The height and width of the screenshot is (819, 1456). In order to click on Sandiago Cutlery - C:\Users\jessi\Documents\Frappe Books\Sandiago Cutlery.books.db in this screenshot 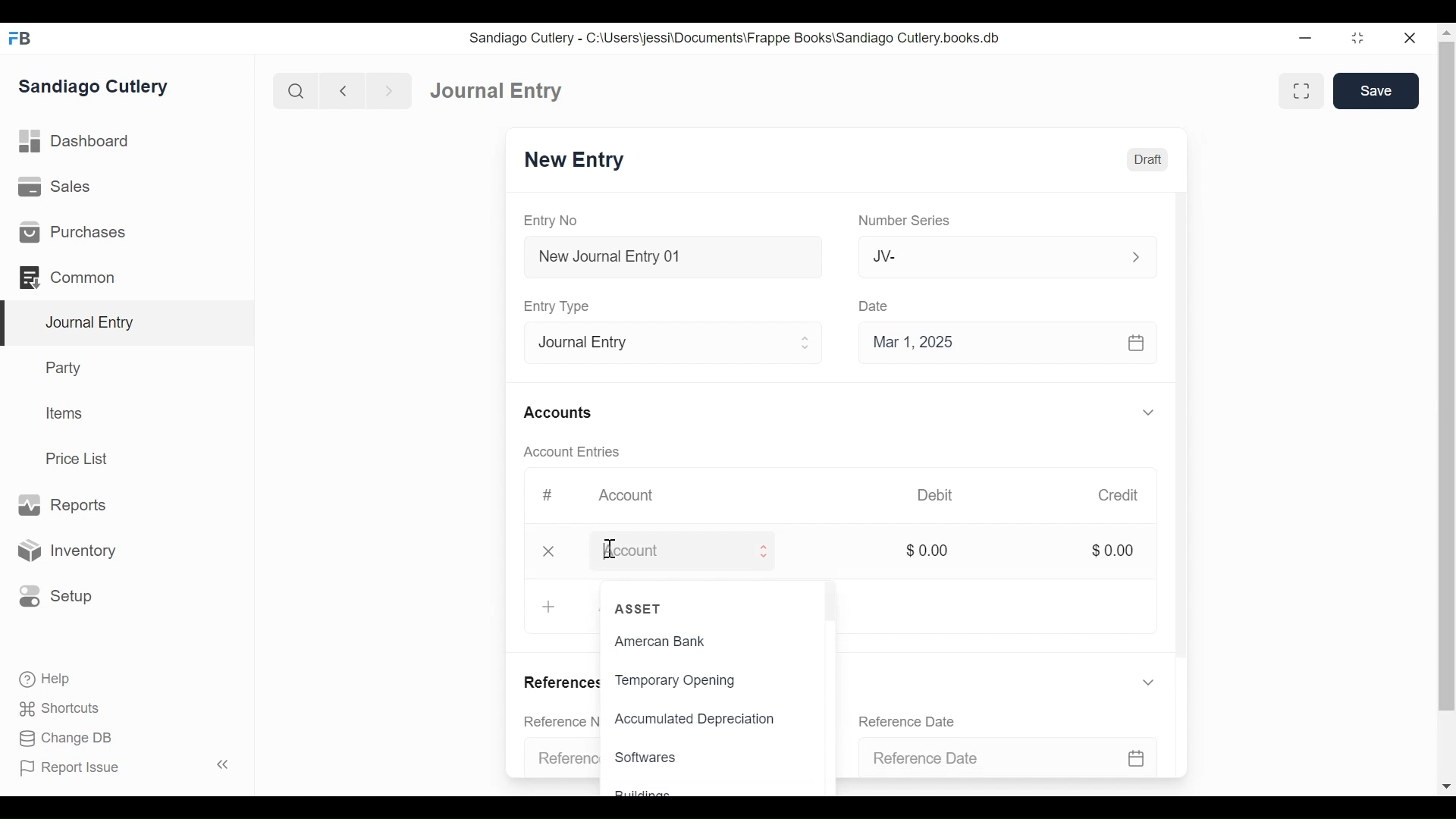, I will do `click(748, 37)`.